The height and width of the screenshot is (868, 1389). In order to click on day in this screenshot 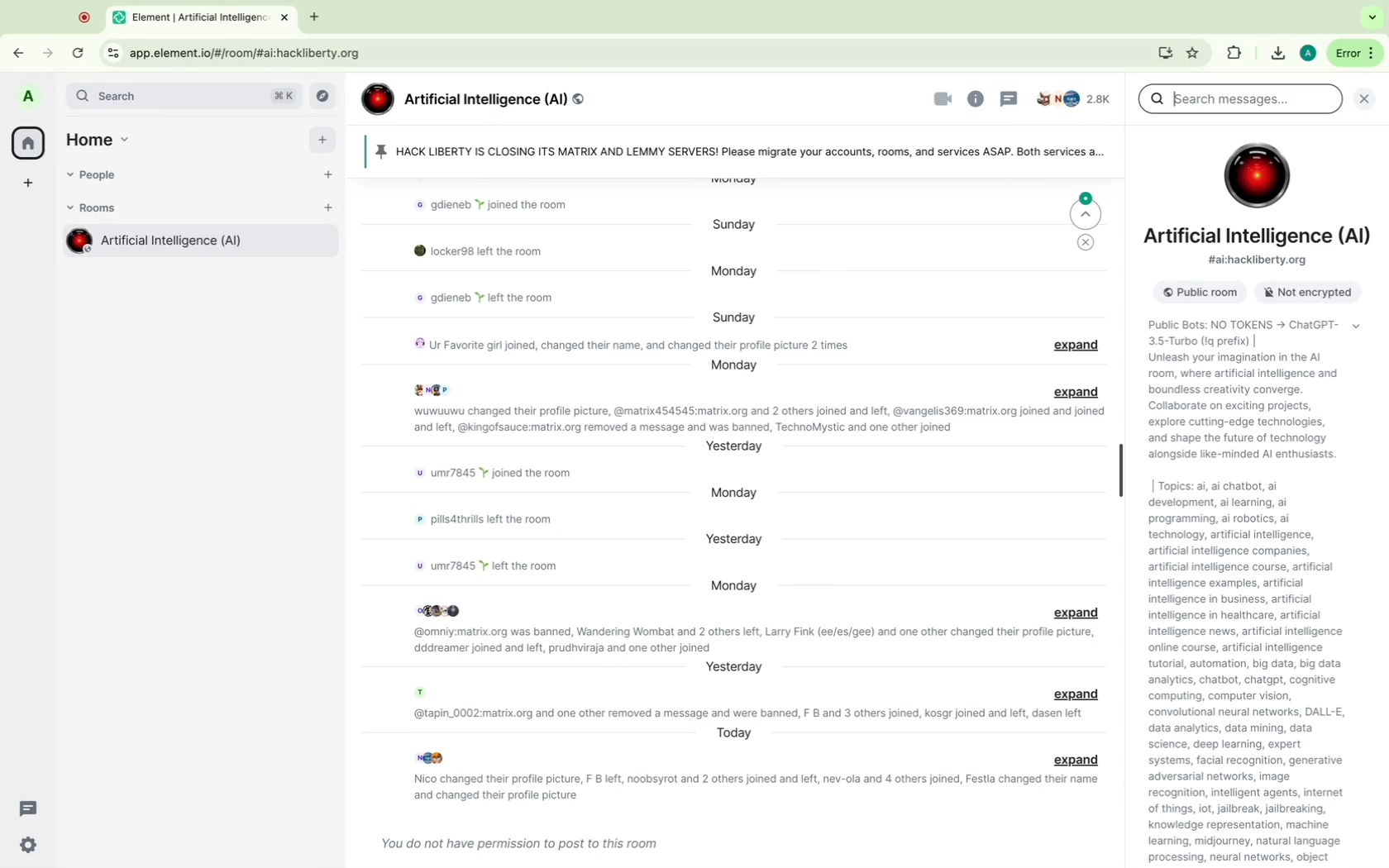, I will do `click(733, 492)`.